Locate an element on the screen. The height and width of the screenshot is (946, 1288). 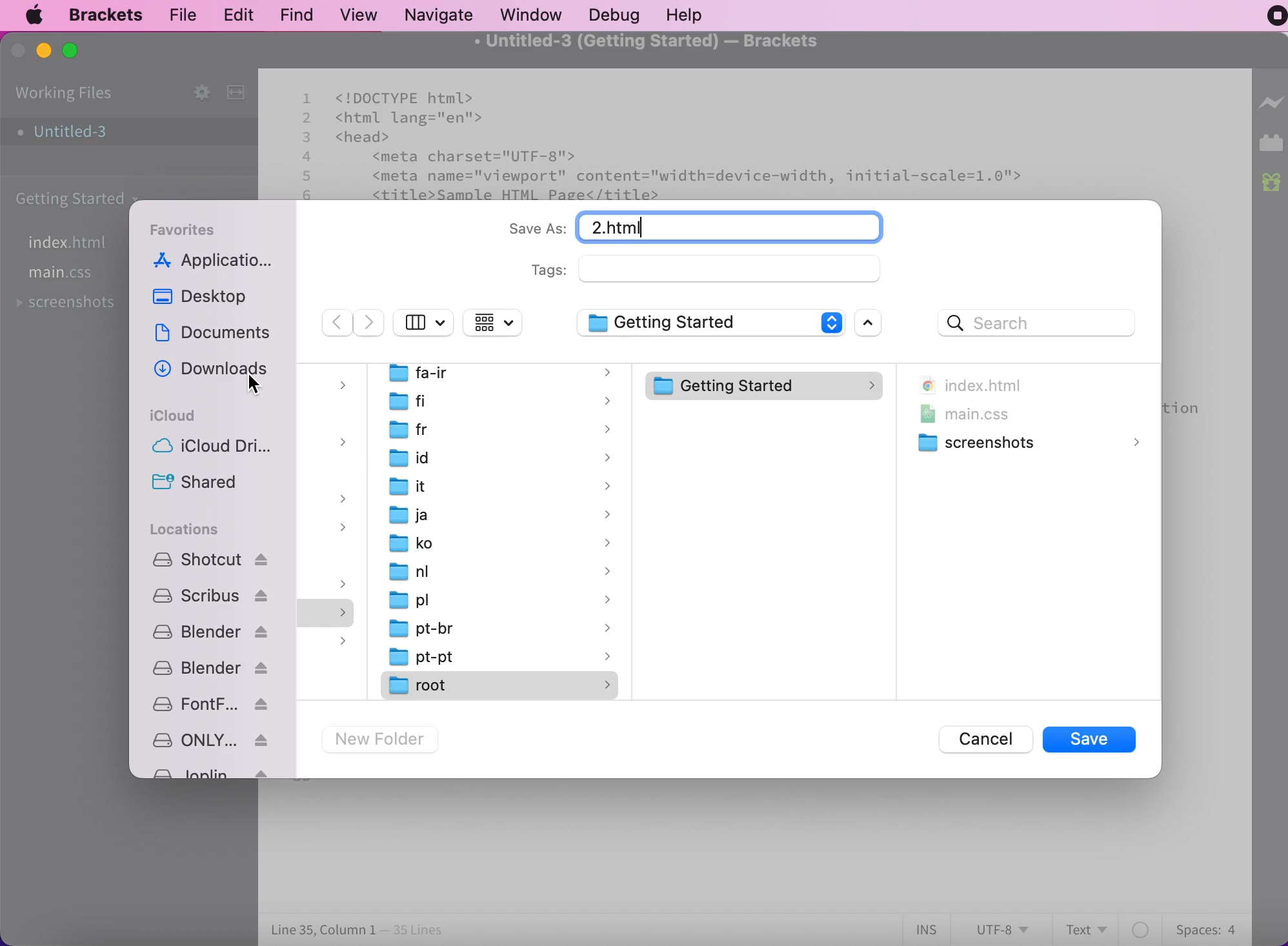
it is located at coordinates (502, 485).